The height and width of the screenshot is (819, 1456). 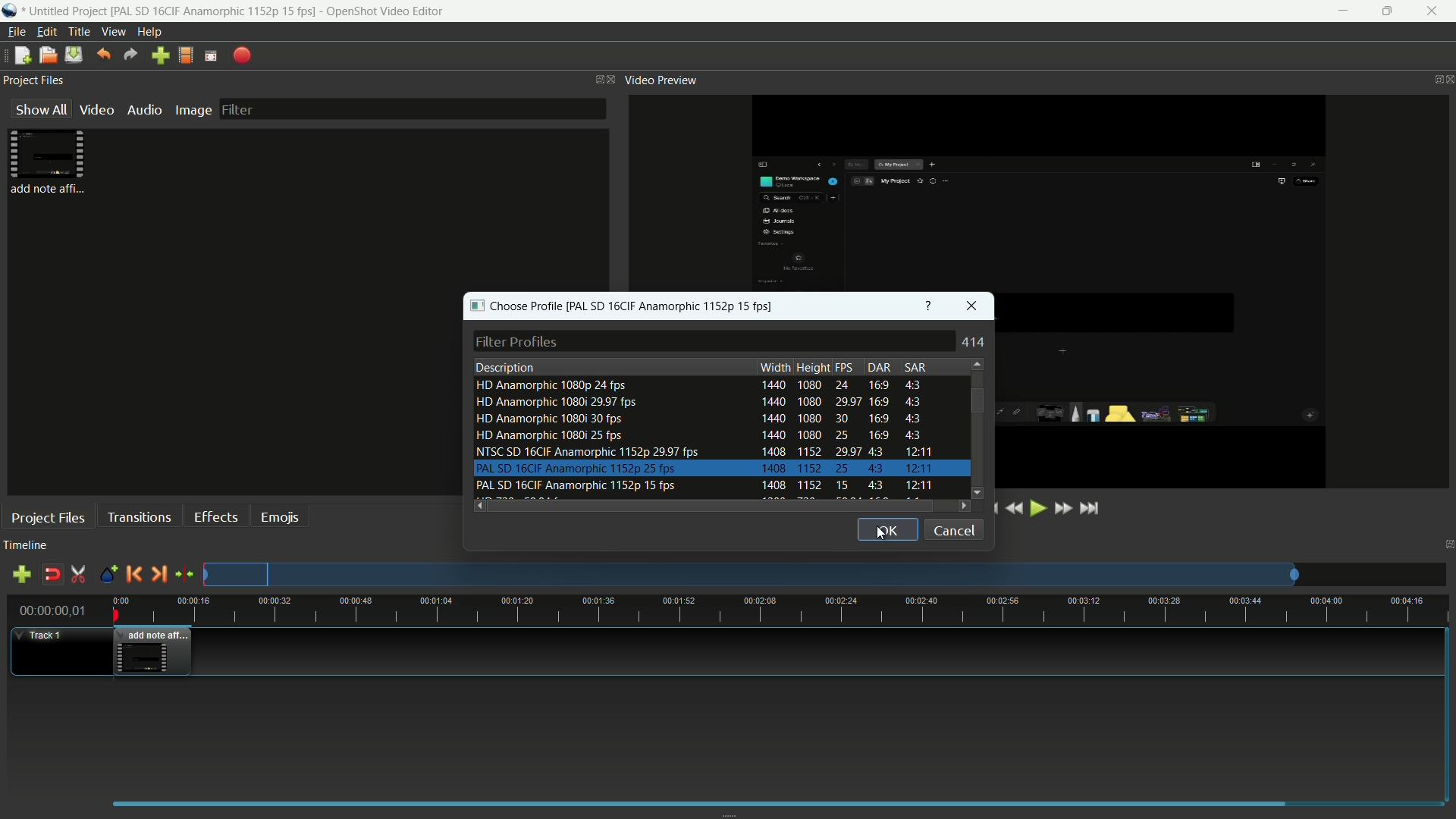 What do you see at coordinates (1389, 11) in the screenshot?
I see `maximize` at bounding box center [1389, 11].